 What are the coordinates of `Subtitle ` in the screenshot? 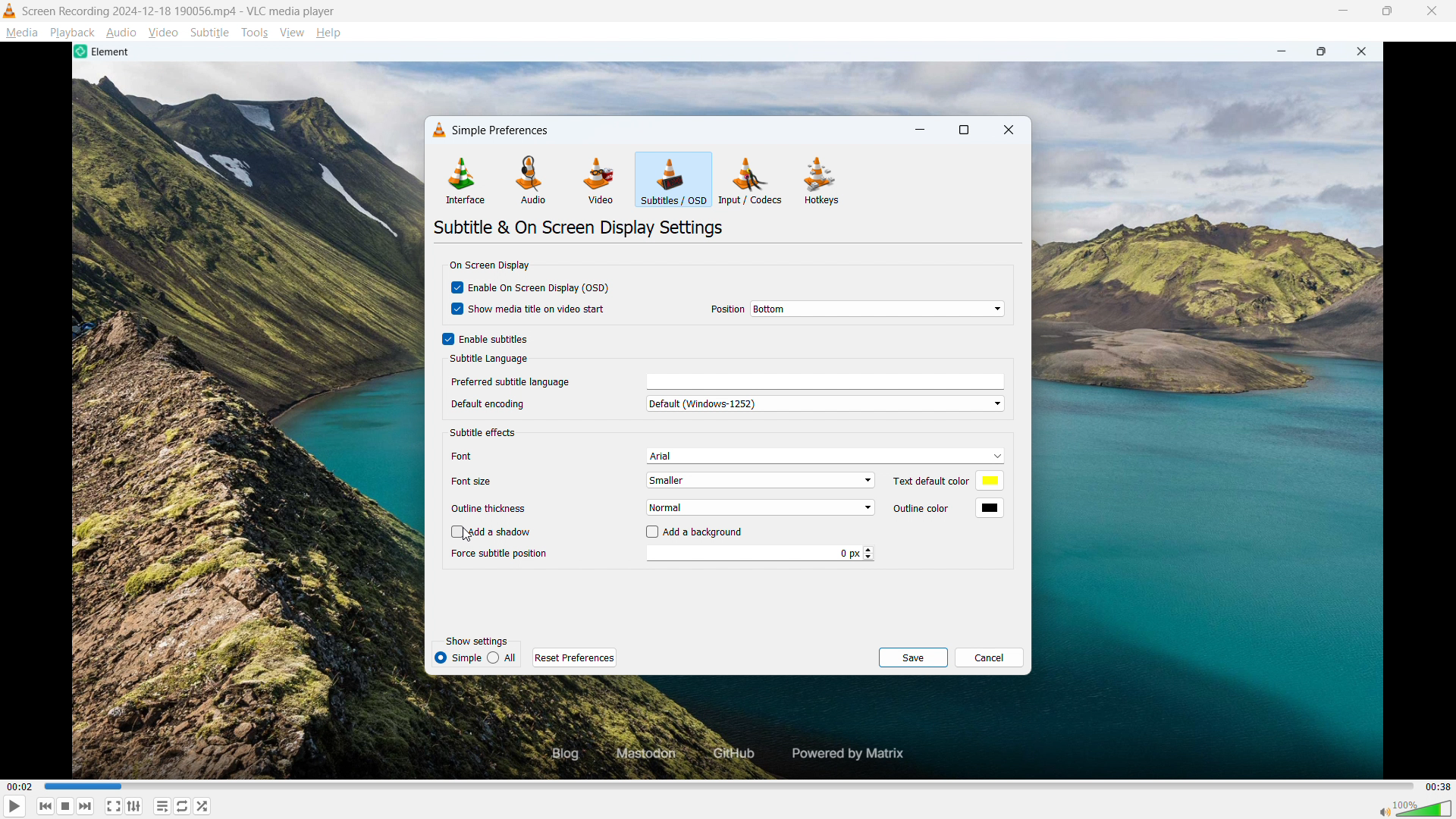 It's located at (210, 33).